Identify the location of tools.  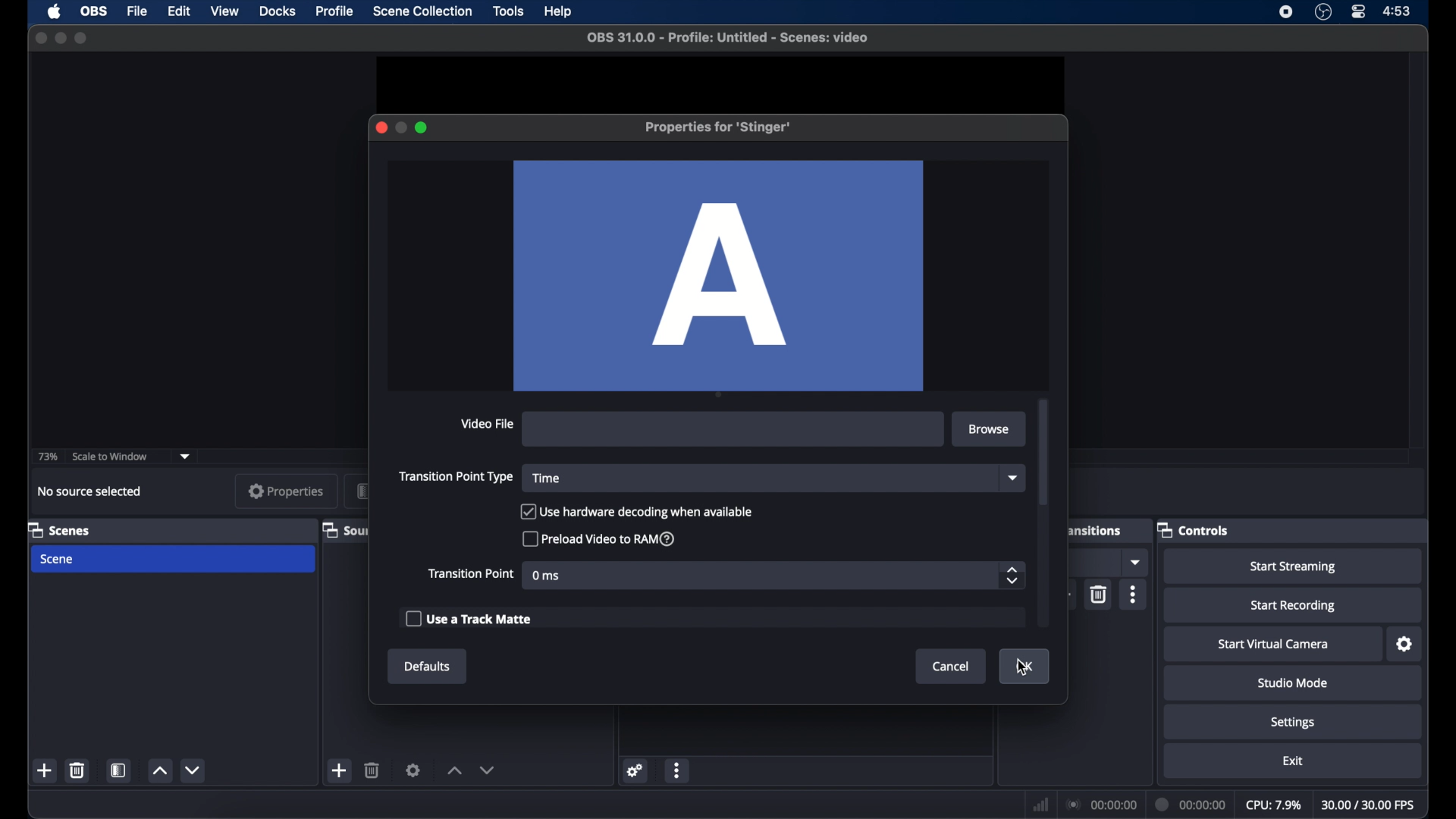
(509, 12).